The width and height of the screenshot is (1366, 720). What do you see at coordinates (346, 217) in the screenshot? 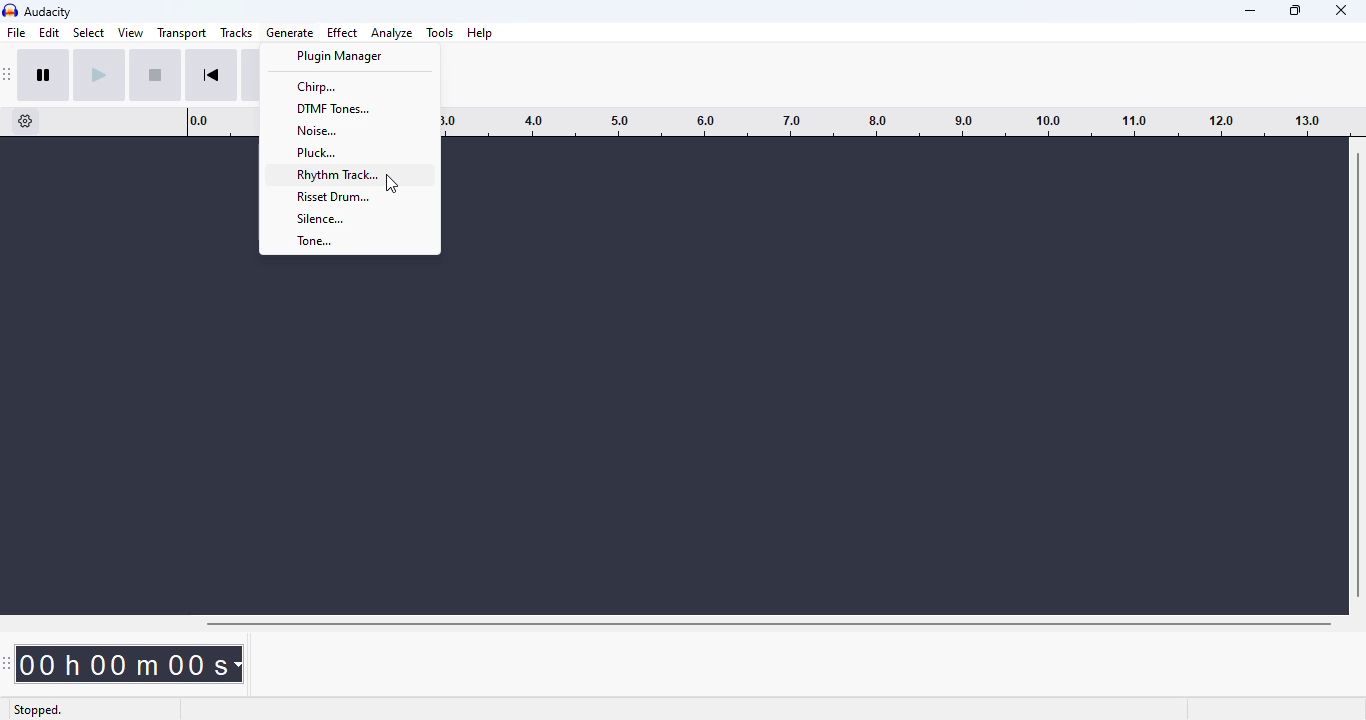
I see `silence` at bounding box center [346, 217].